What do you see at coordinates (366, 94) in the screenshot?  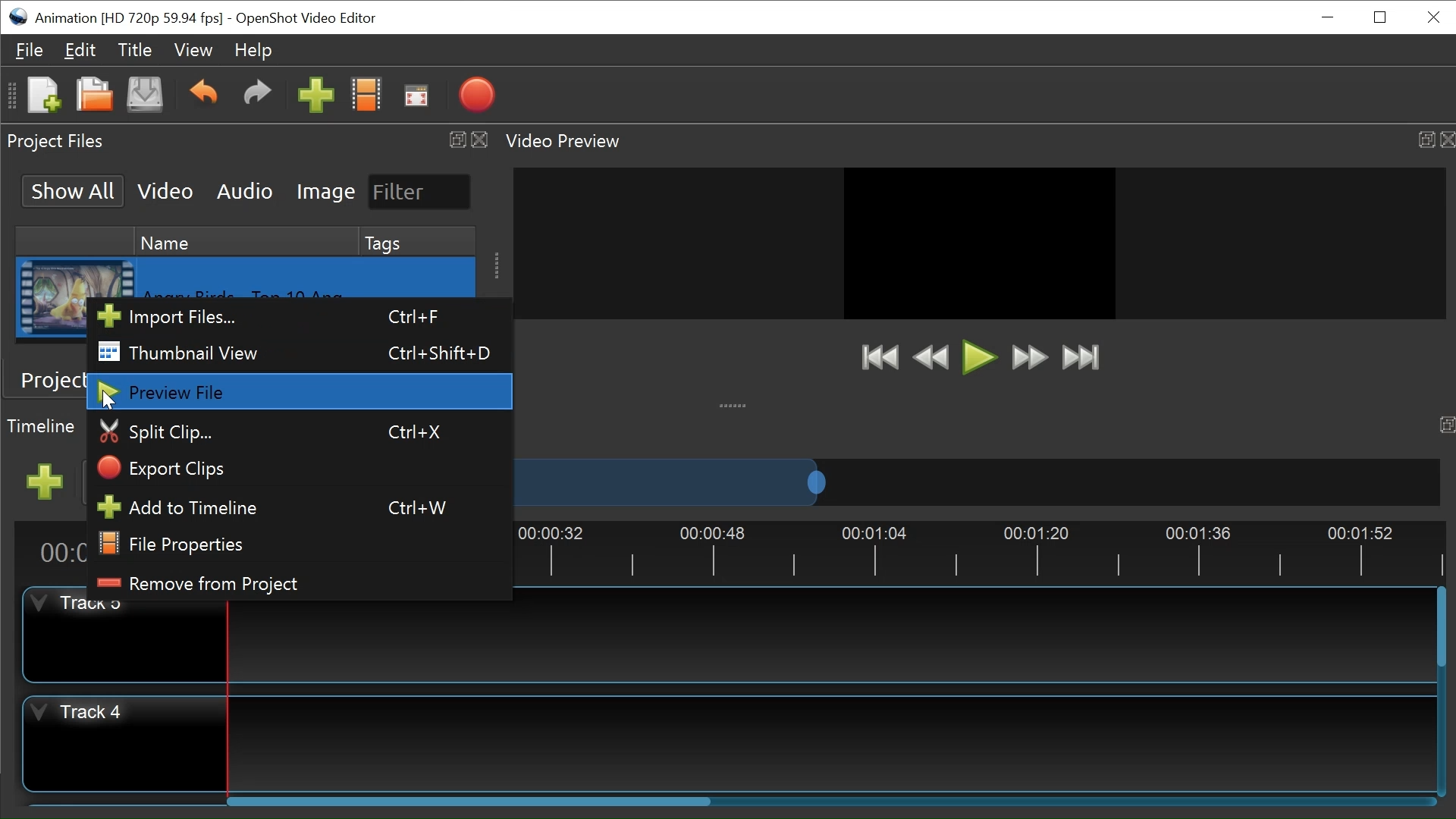 I see `Chooses File` at bounding box center [366, 94].